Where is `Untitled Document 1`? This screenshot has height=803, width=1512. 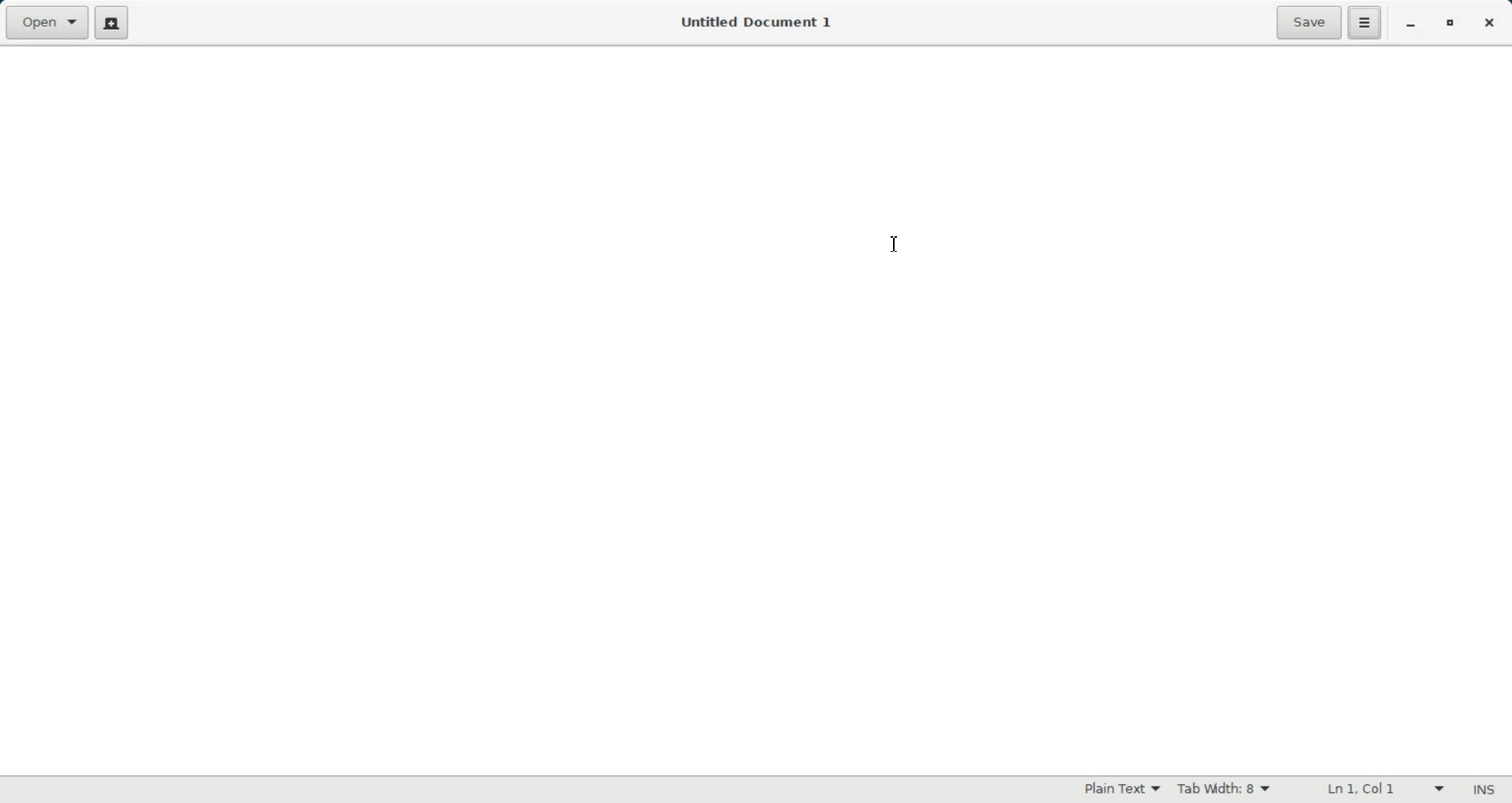 Untitled Document 1 is located at coordinates (753, 22).